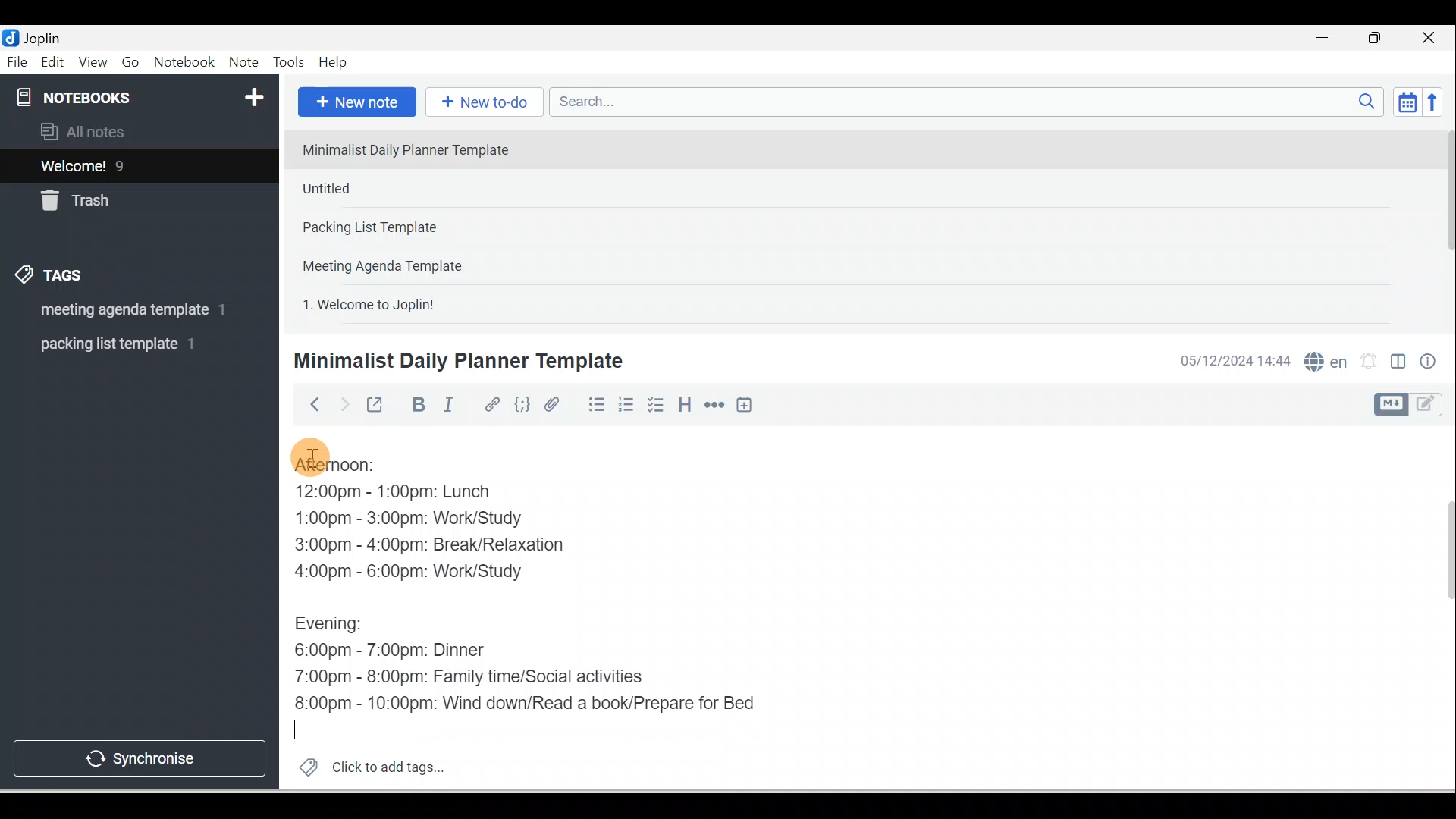  Describe the element at coordinates (46, 36) in the screenshot. I see `Joplin` at that location.